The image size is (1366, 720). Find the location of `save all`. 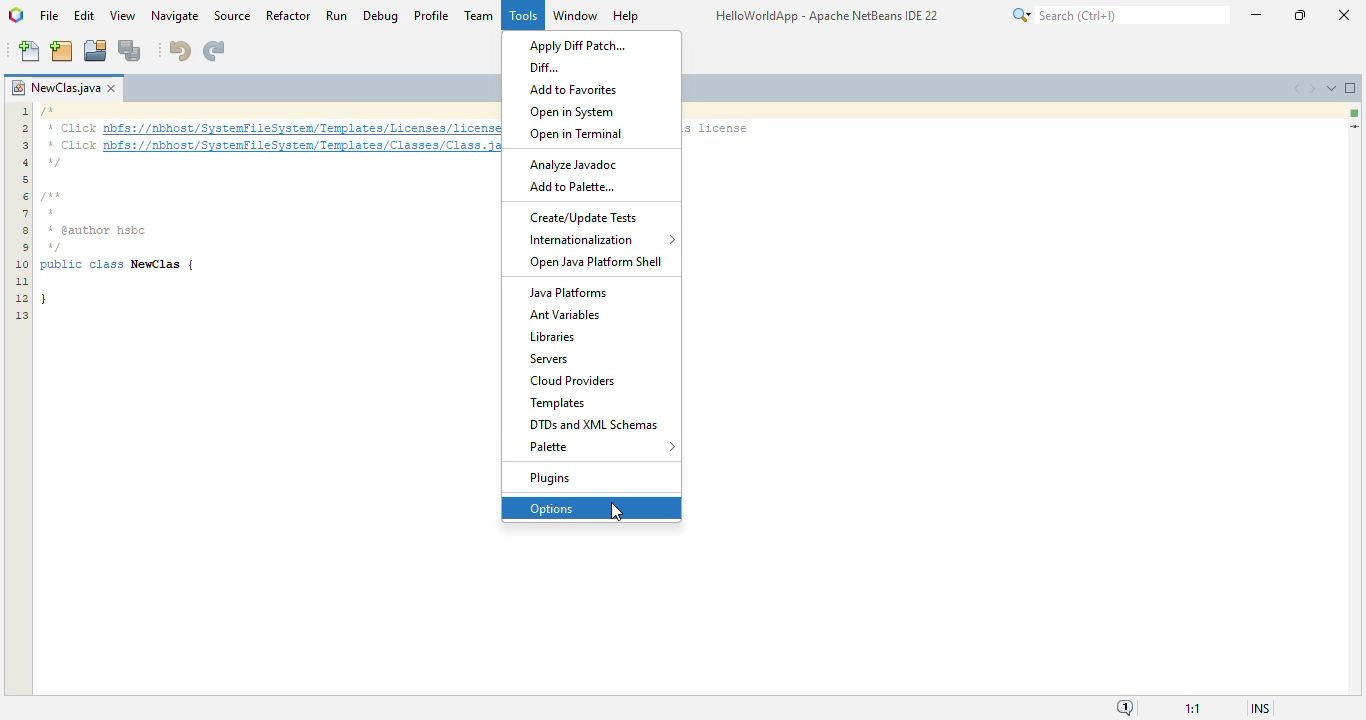

save all is located at coordinates (130, 50).